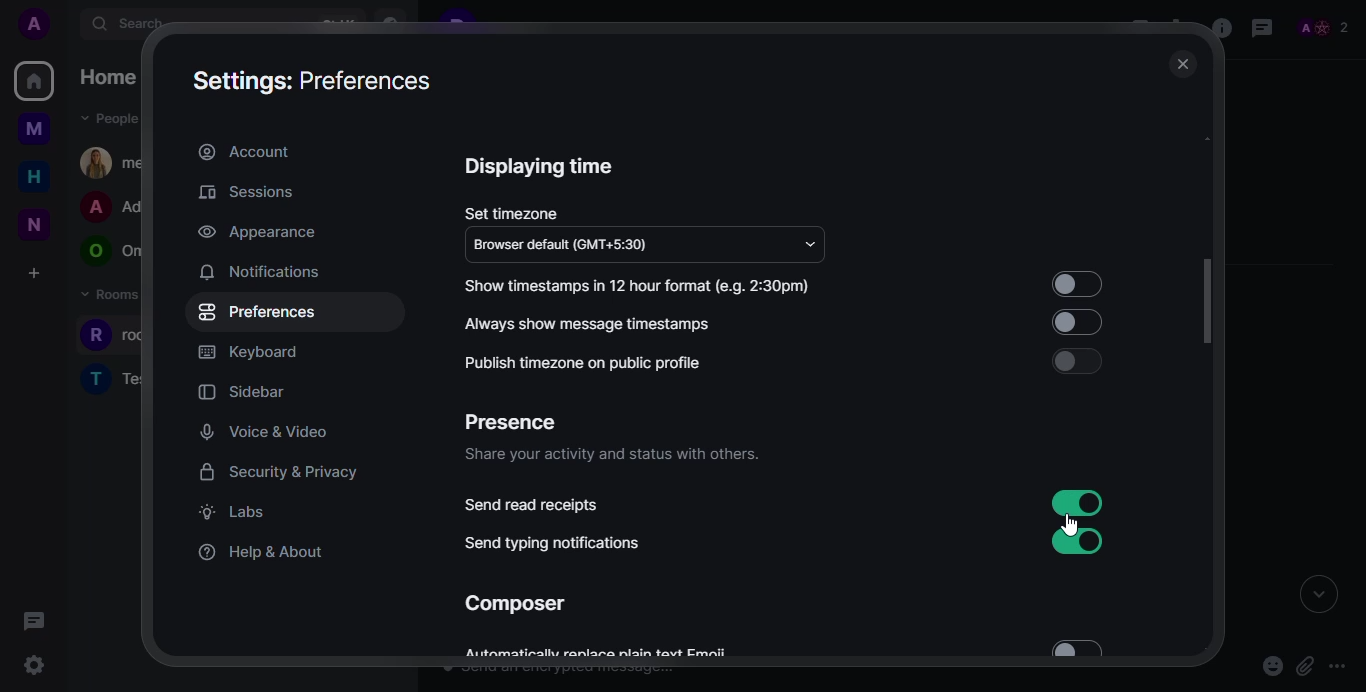 The height and width of the screenshot is (692, 1366). Describe the element at coordinates (1181, 65) in the screenshot. I see `close` at that location.